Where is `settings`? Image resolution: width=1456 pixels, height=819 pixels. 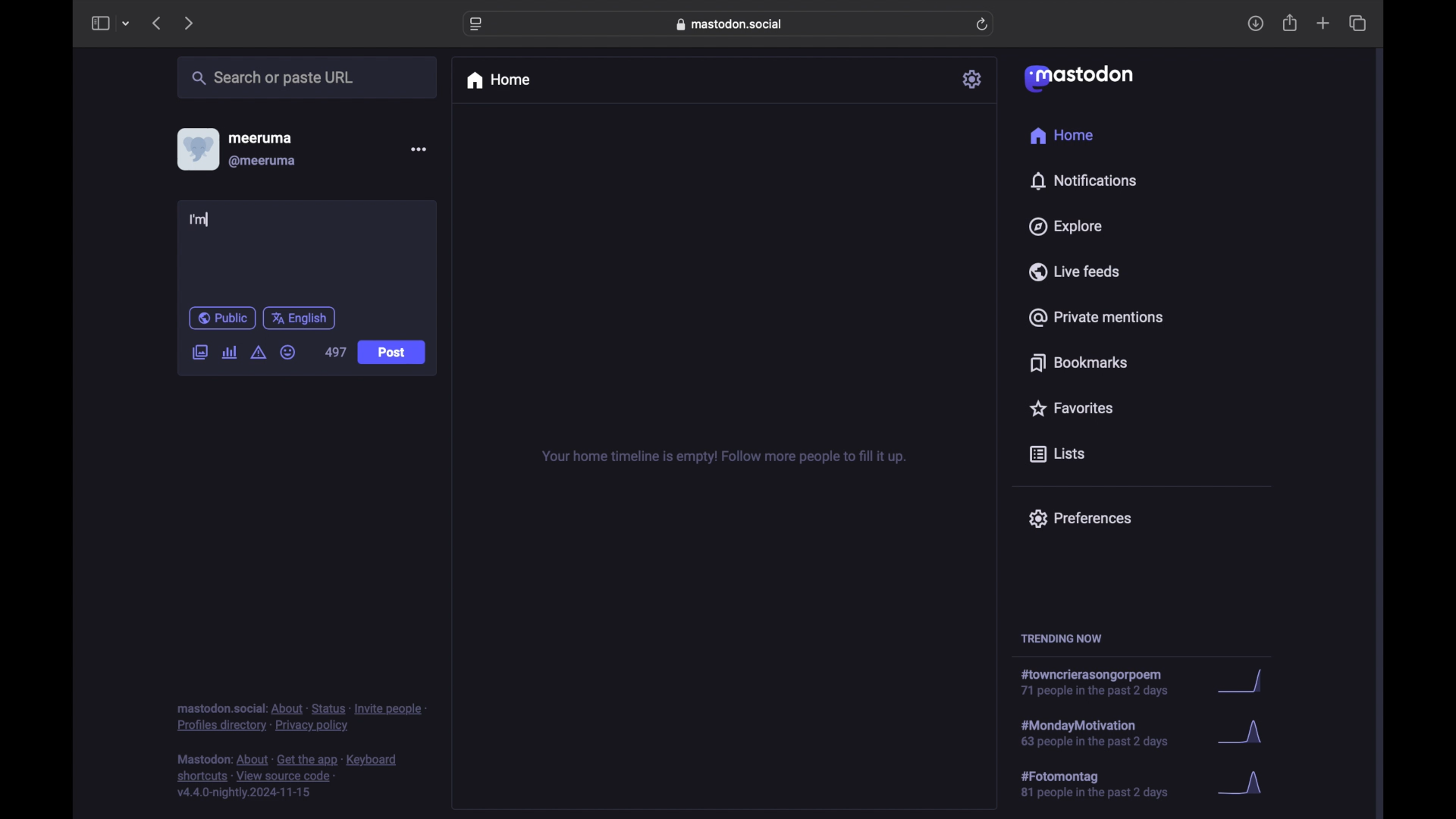
settings is located at coordinates (973, 79).